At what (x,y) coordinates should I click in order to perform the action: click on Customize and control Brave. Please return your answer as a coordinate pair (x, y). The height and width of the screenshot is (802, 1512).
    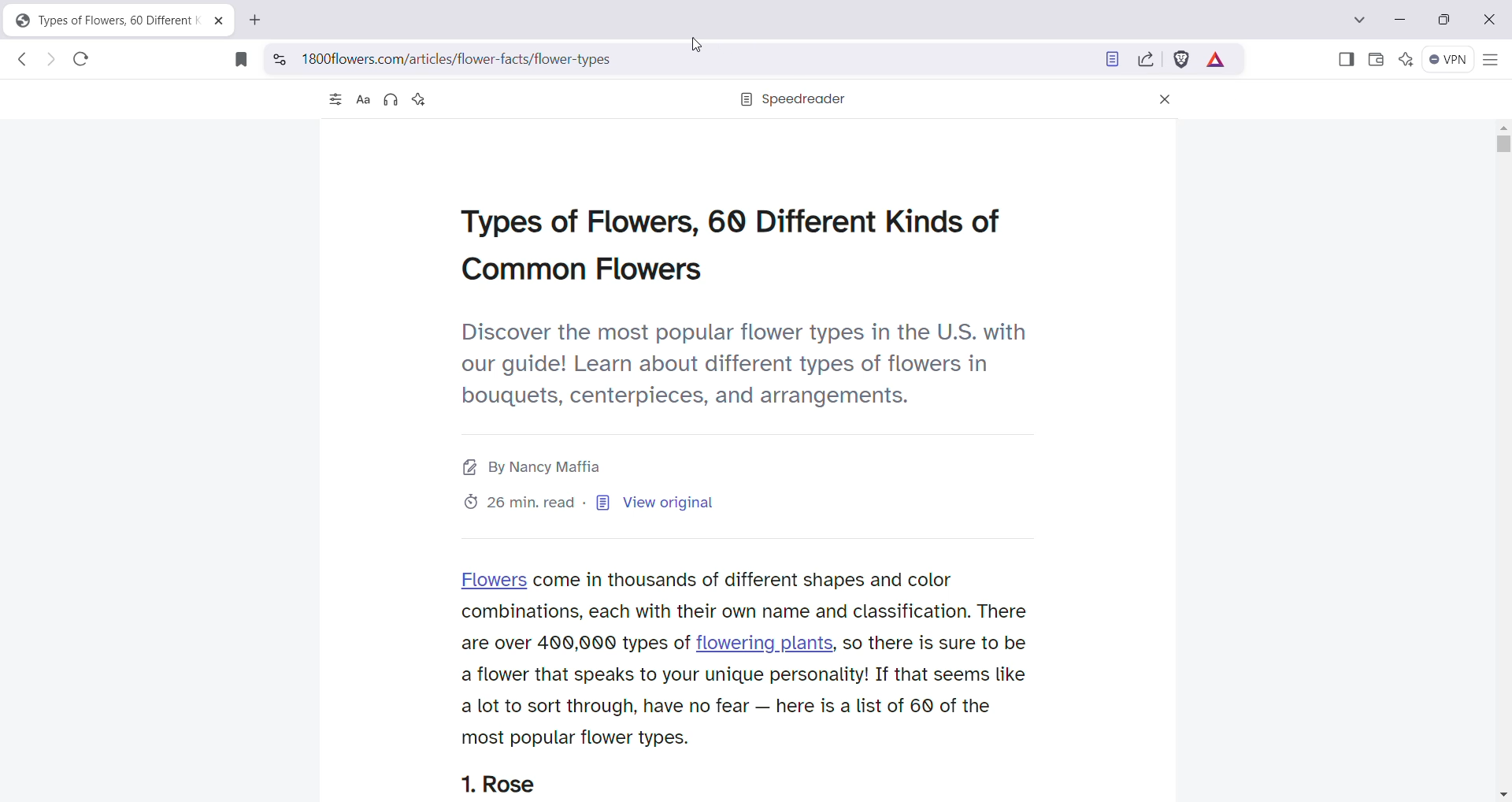
    Looking at the image, I should click on (1489, 61).